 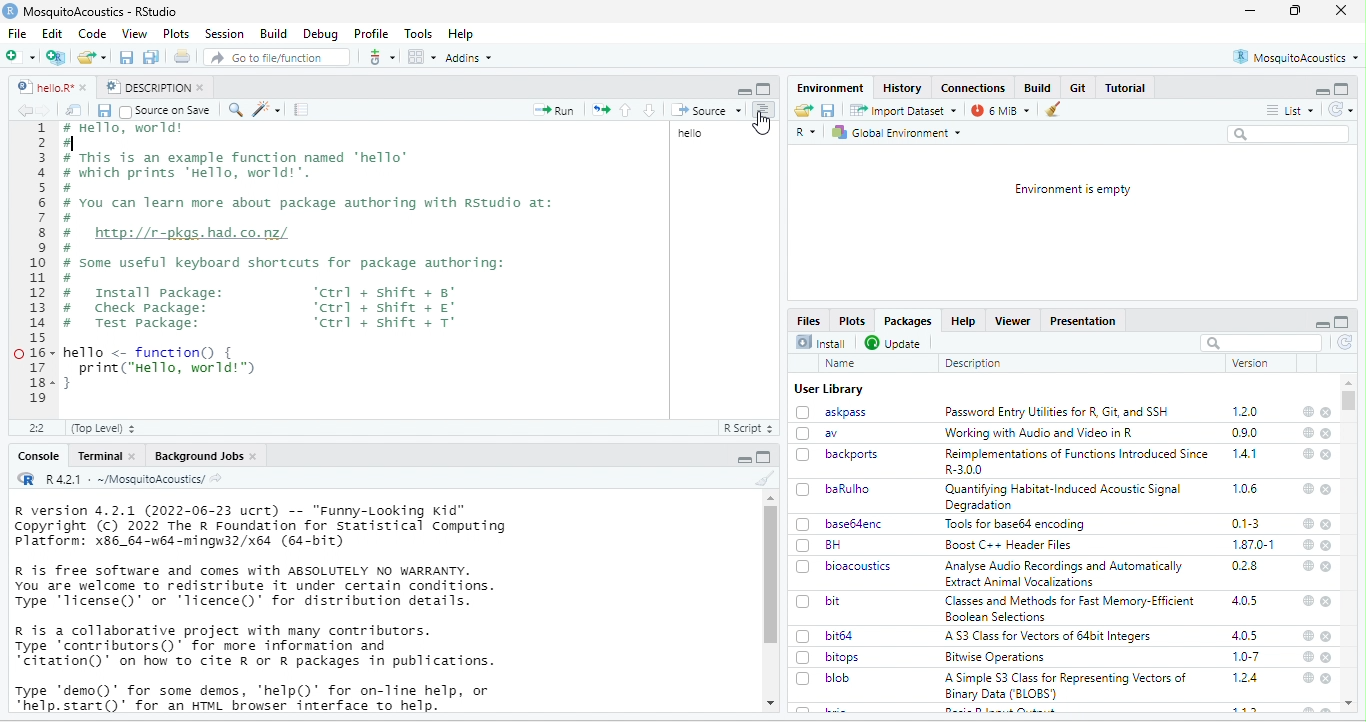 I want to click on Analyse Audio Recordings and Automatically Extract Animal Vocalizations, so click(x=1064, y=575).